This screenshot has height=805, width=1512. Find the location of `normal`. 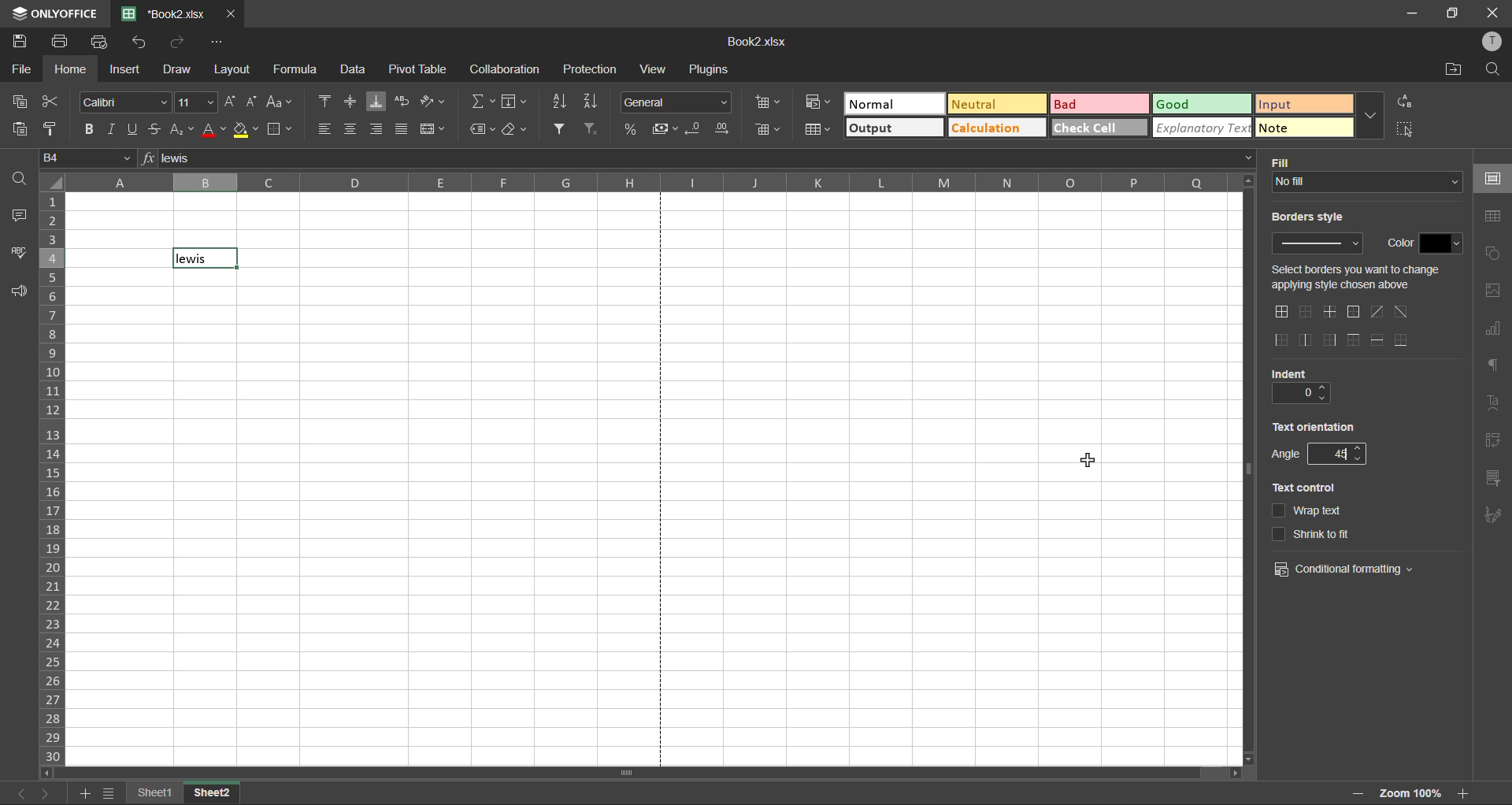

normal is located at coordinates (894, 105).